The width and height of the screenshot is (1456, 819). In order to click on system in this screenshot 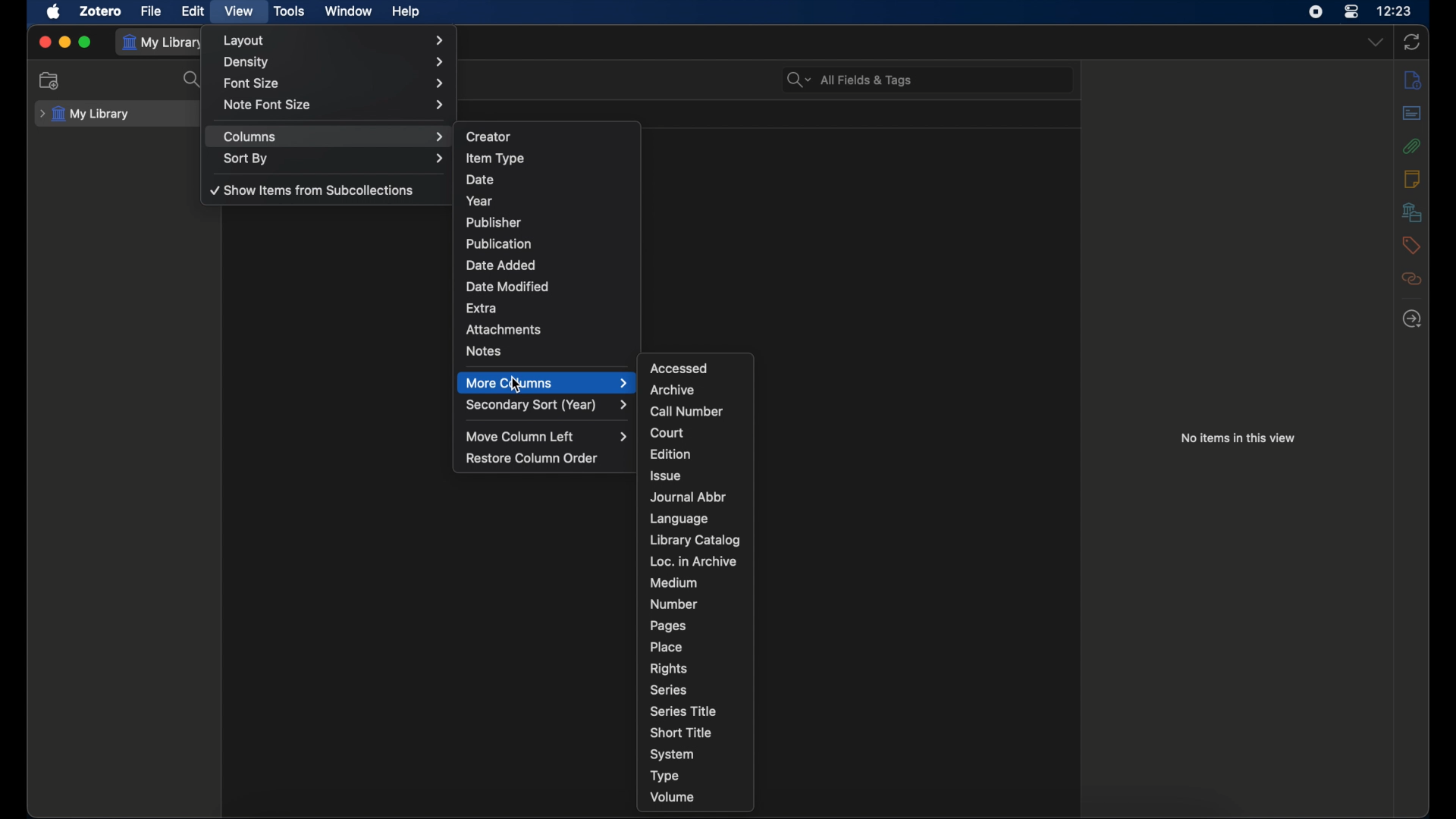, I will do `click(673, 755)`.